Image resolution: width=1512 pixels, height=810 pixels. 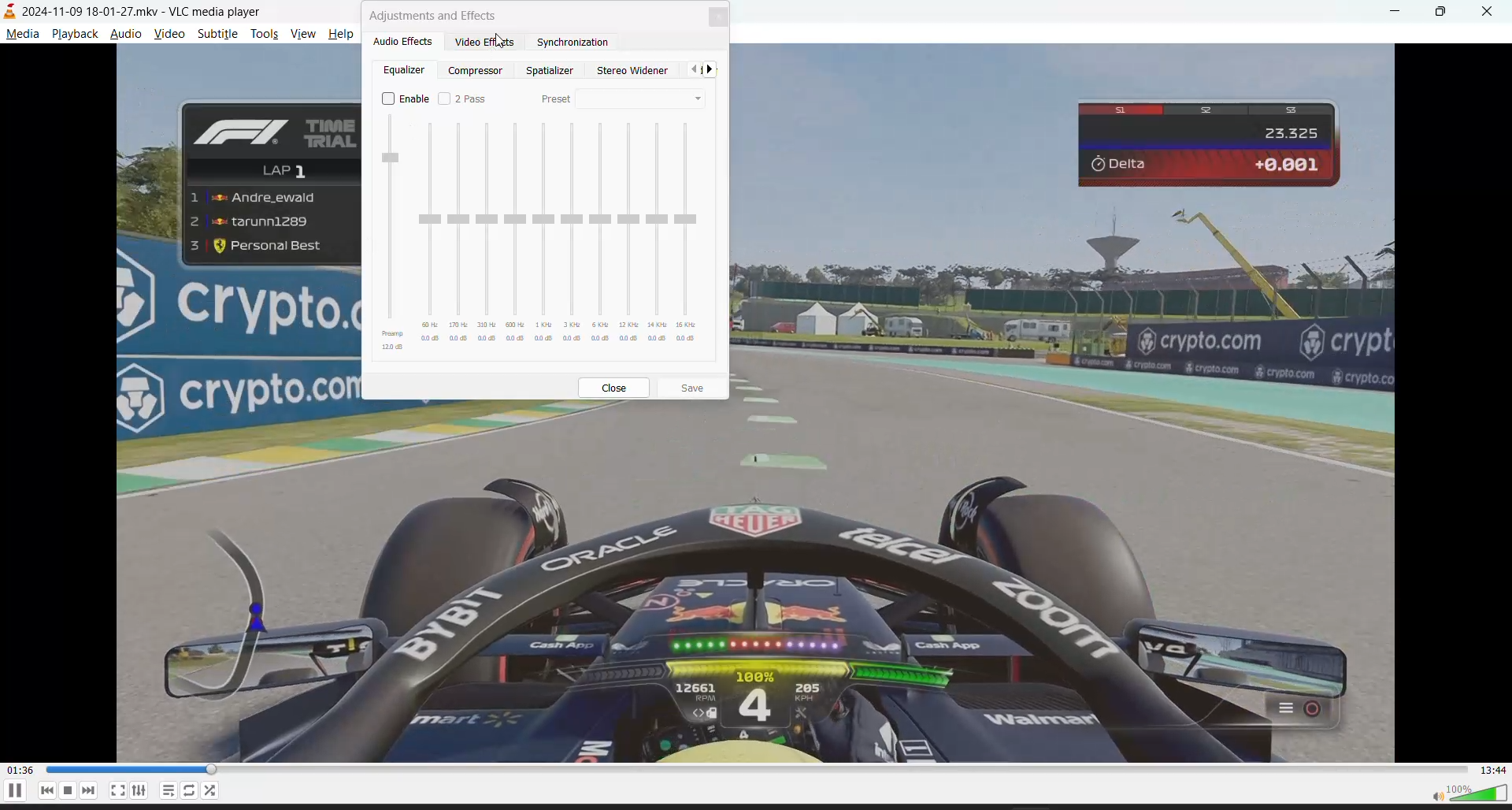 I want to click on pause, so click(x=14, y=794).